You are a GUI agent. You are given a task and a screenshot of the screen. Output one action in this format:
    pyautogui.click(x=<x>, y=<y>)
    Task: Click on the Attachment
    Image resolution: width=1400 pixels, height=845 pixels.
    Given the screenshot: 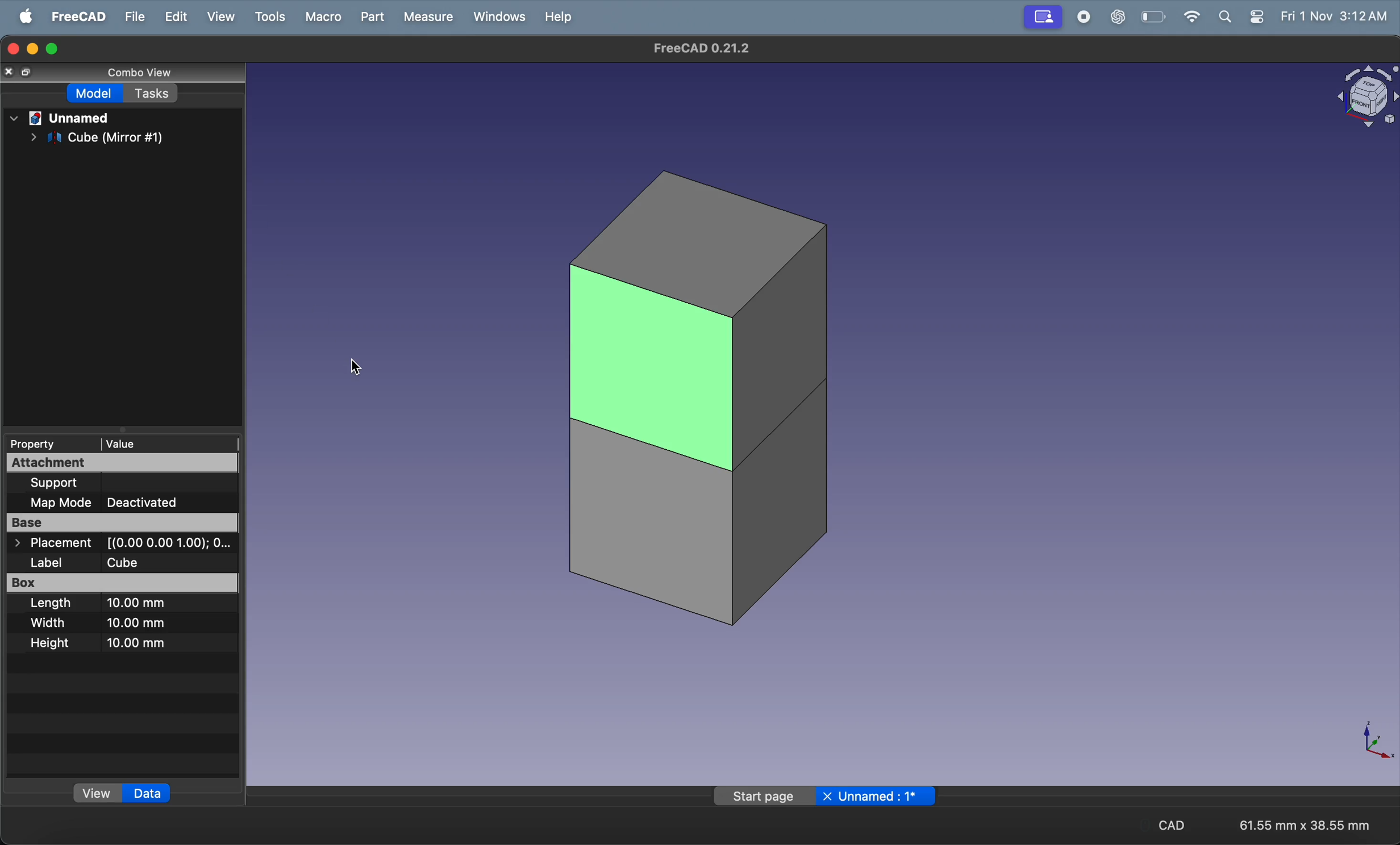 What is the action you would take?
    pyautogui.click(x=120, y=463)
    